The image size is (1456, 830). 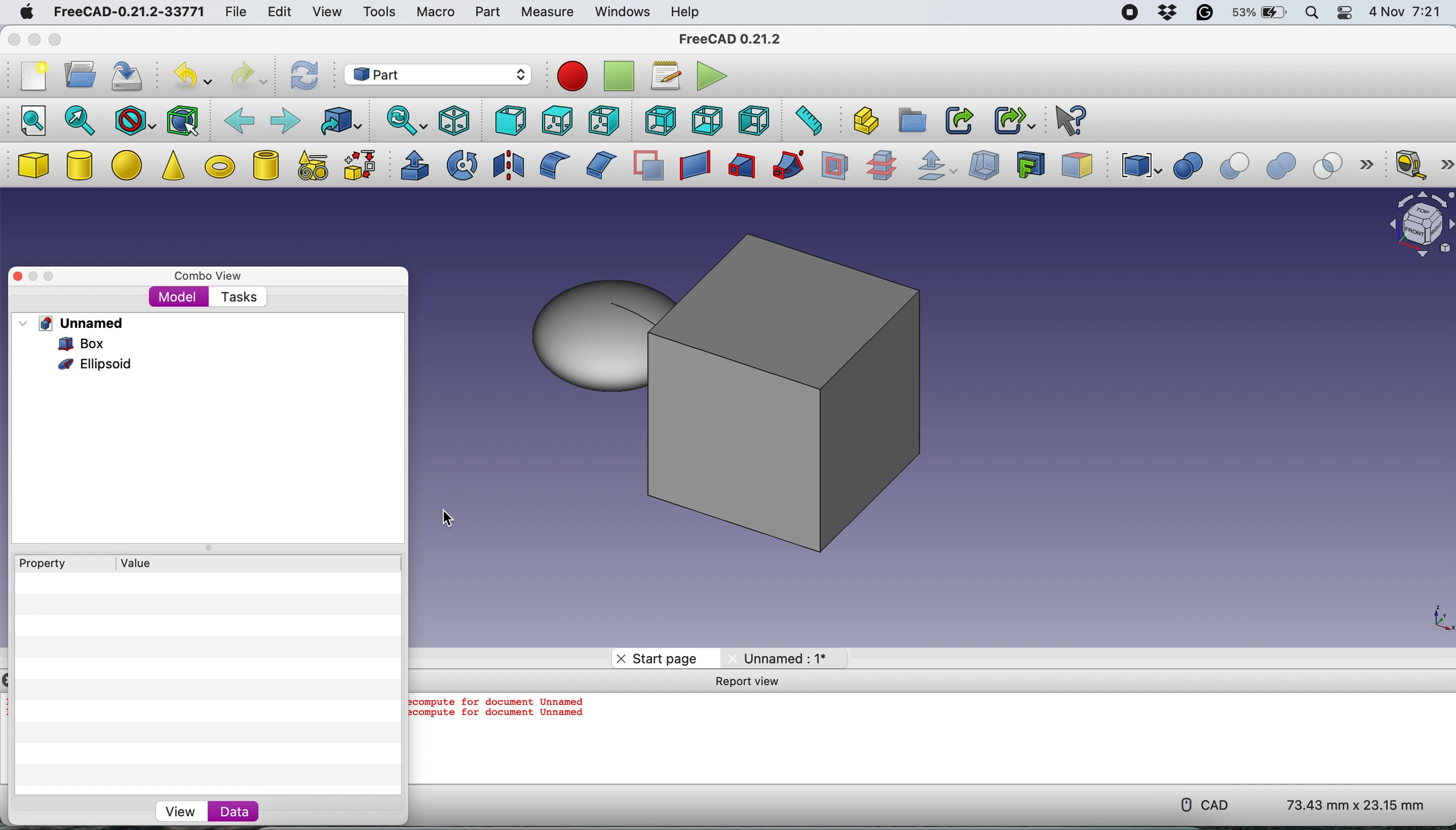 I want to click on front, so click(x=508, y=121).